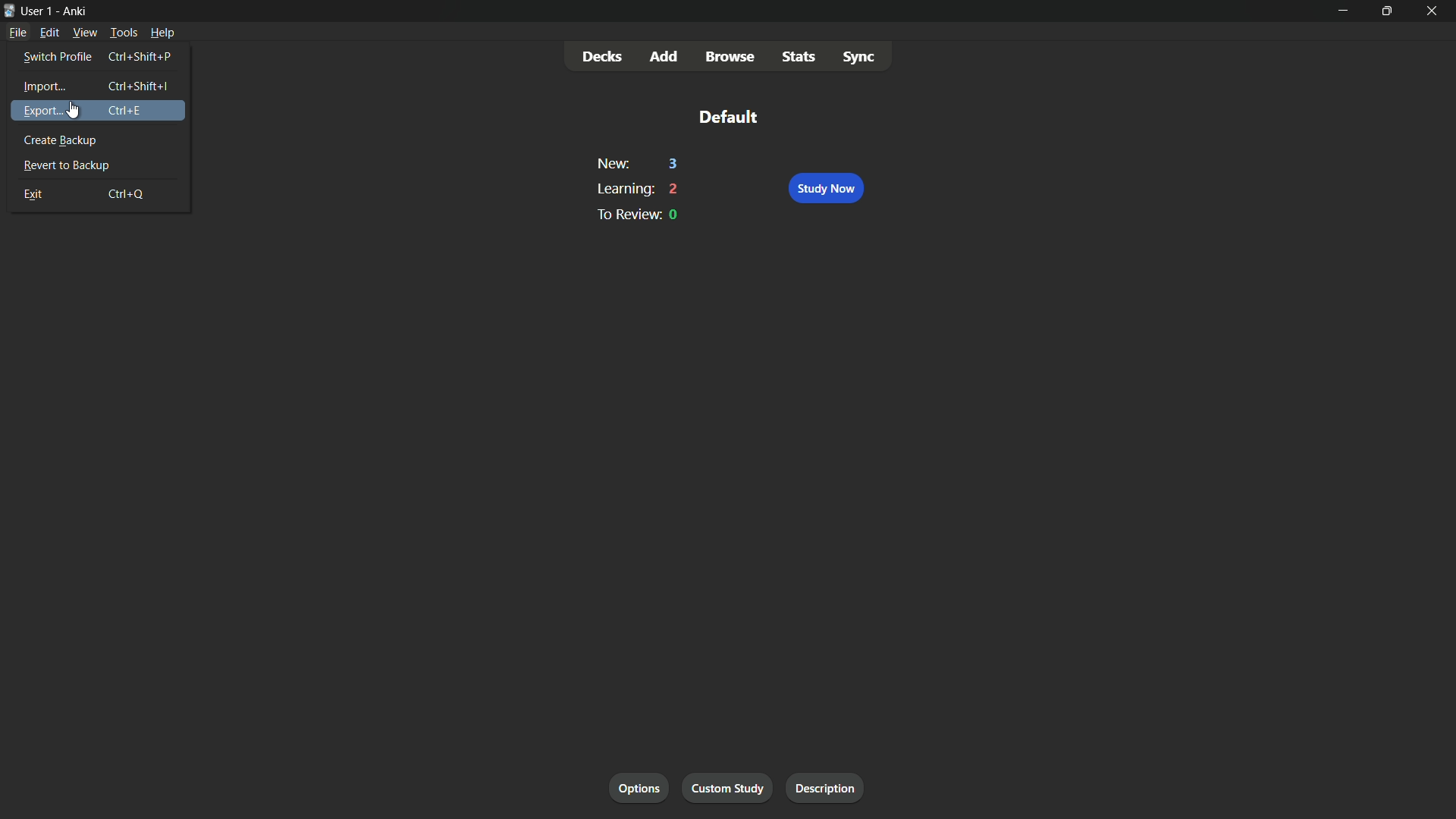  Describe the element at coordinates (39, 11) in the screenshot. I see `user 1` at that location.